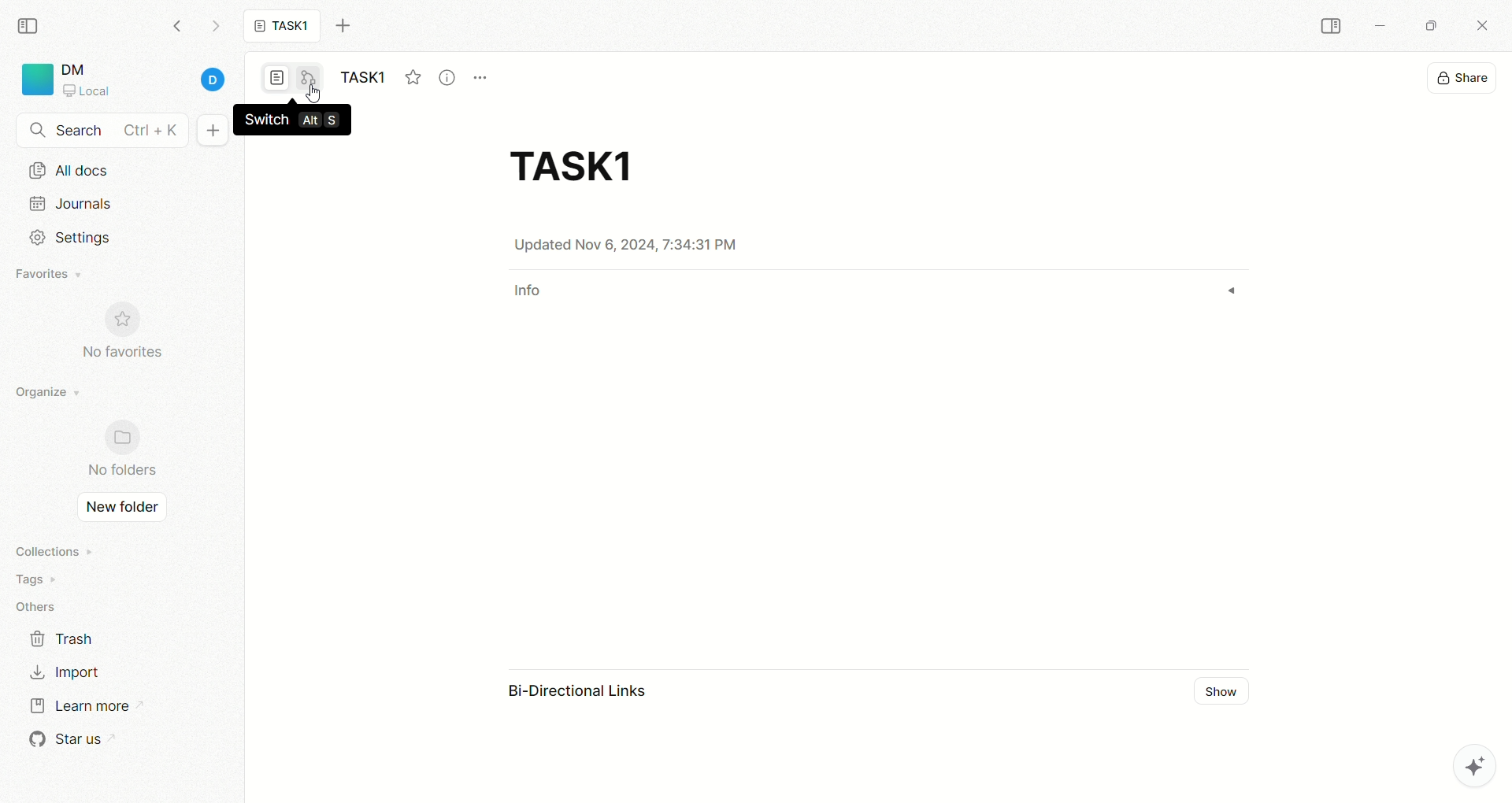 The height and width of the screenshot is (803, 1512). I want to click on view info, so click(450, 77).